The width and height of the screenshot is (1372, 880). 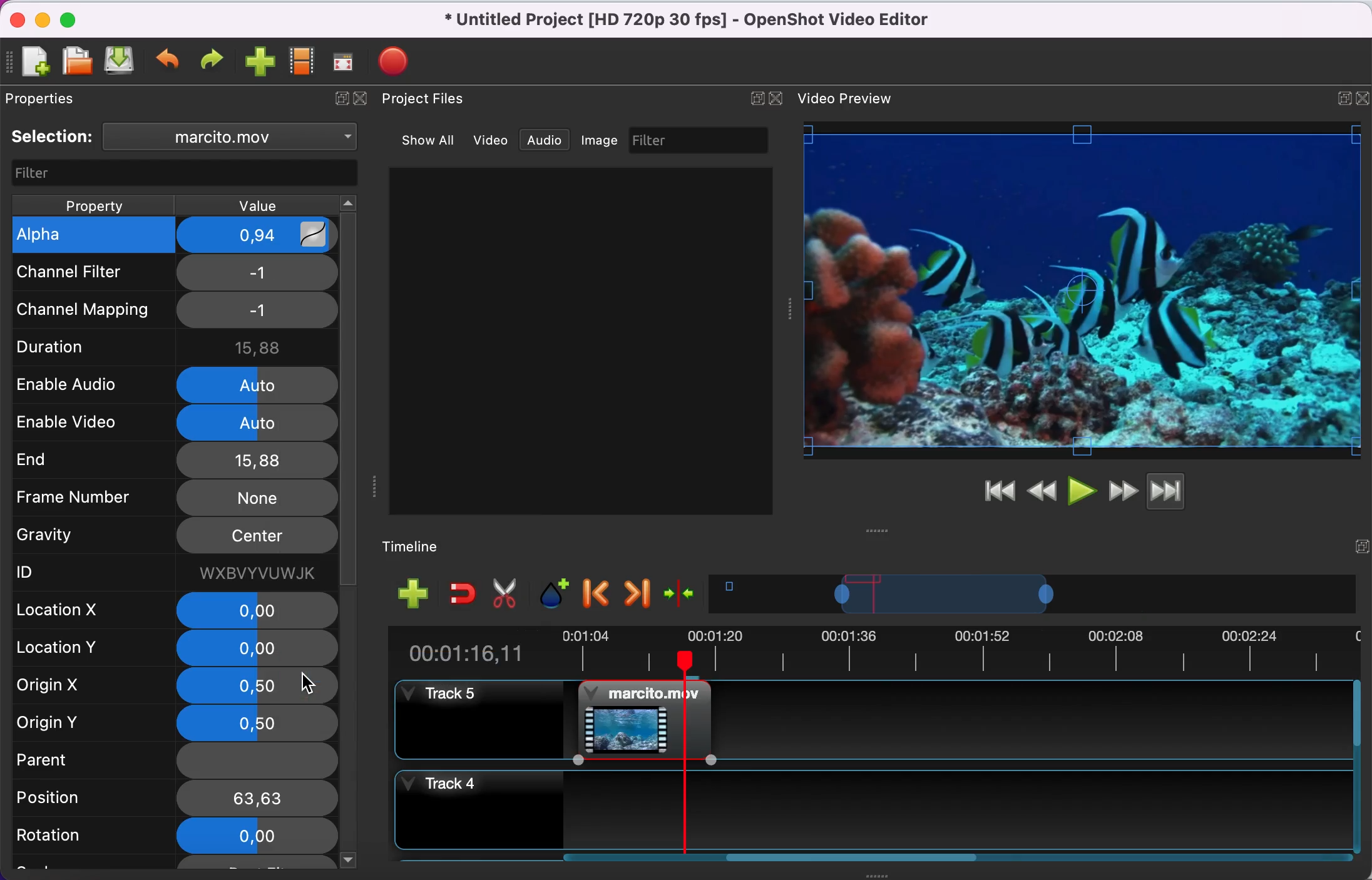 I want to click on close, so click(x=361, y=98).